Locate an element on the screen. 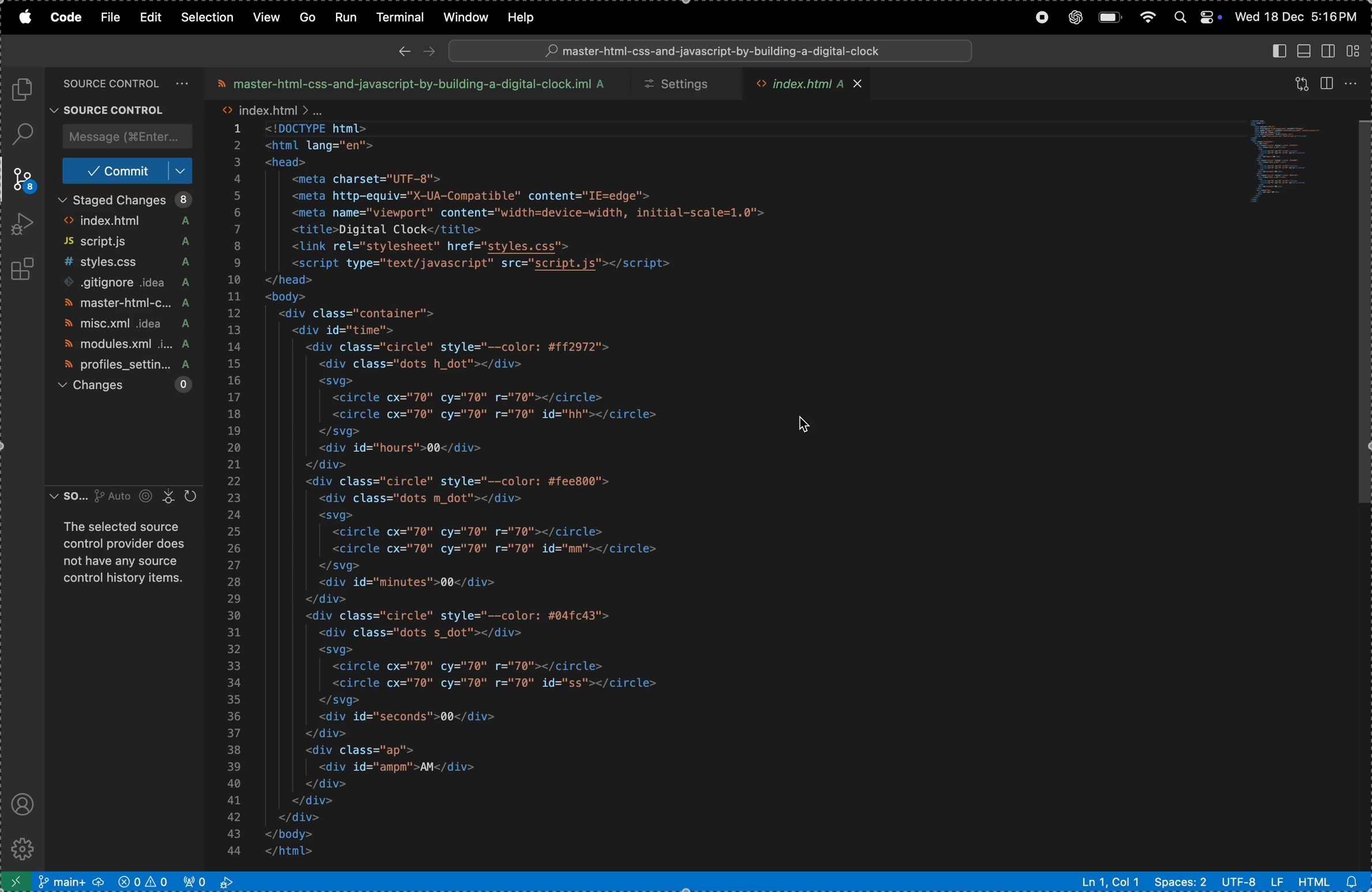 Image resolution: width=1372 pixels, height=892 pixels. profile is located at coordinates (120, 364).